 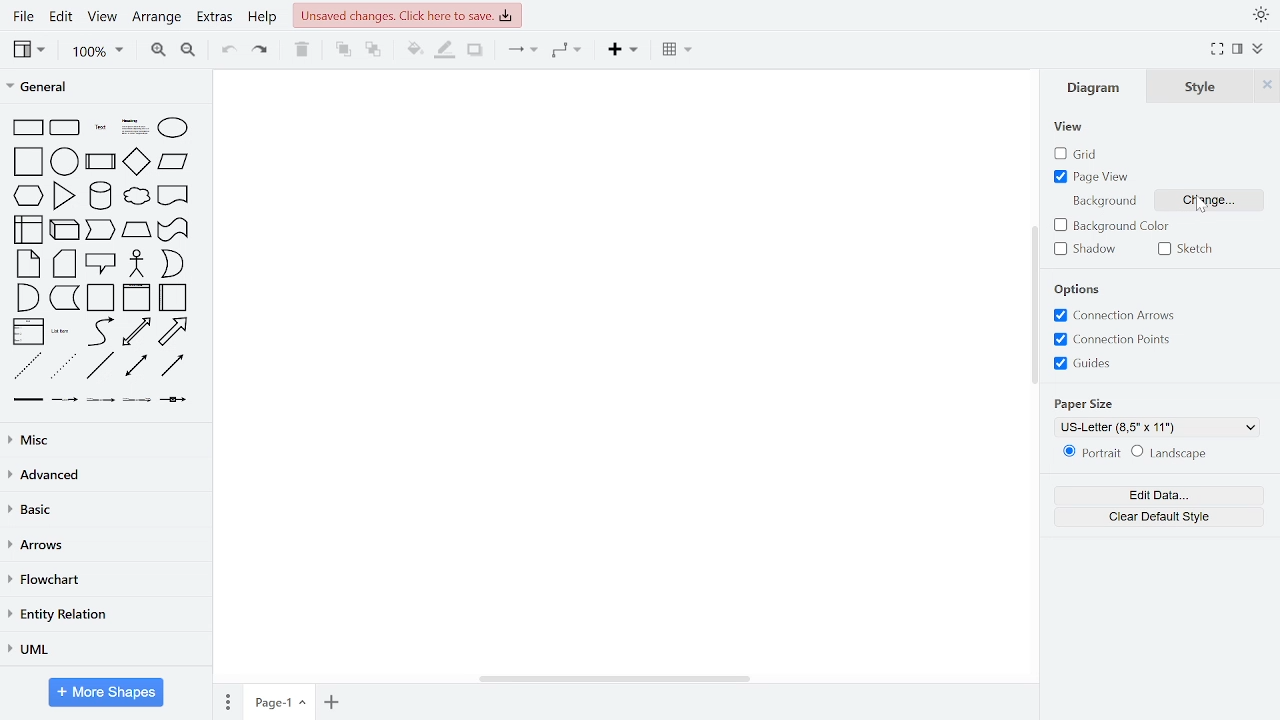 I want to click on general shapes, so click(x=64, y=194).